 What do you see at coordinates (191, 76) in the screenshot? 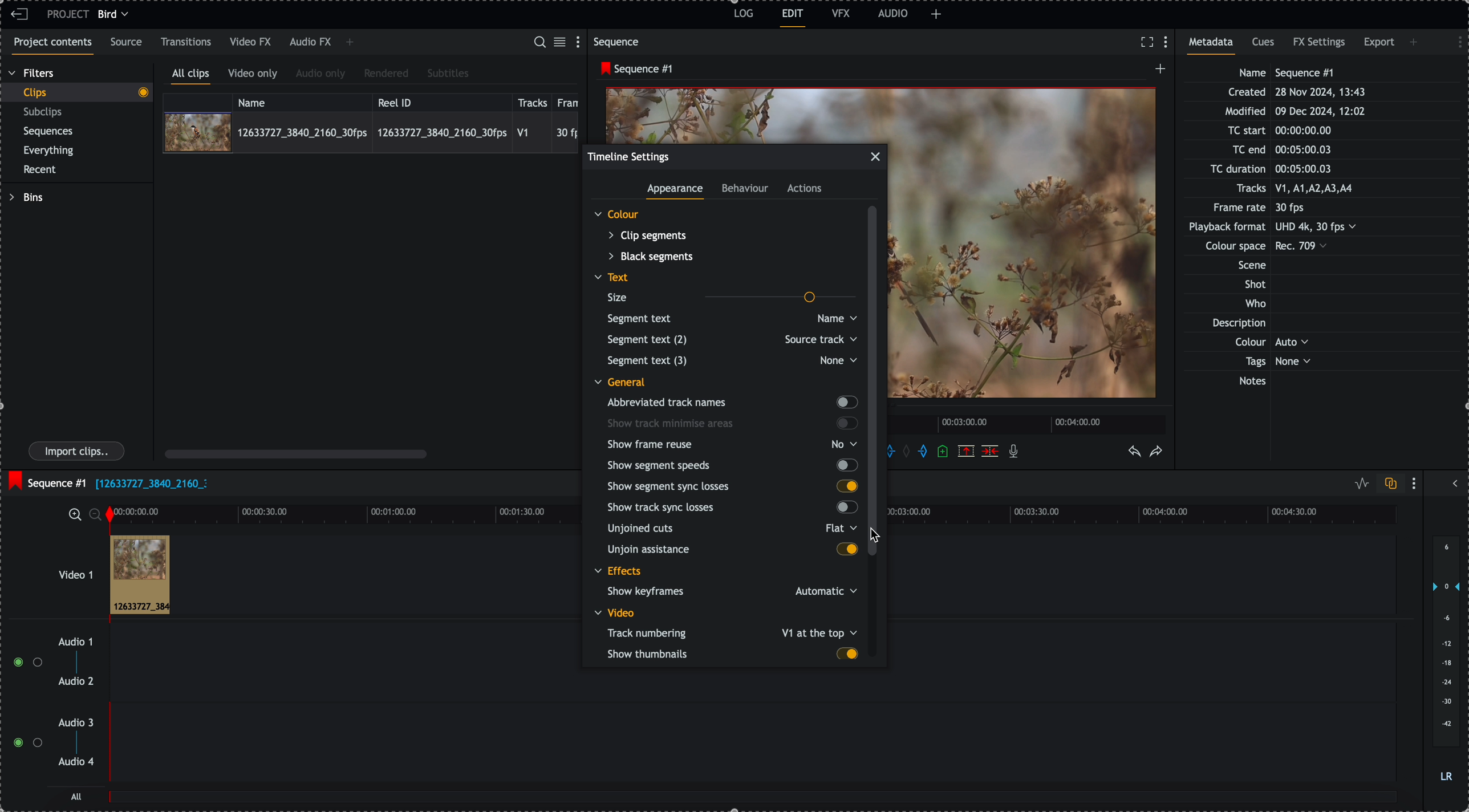
I see `all clips` at bounding box center [191, 76].